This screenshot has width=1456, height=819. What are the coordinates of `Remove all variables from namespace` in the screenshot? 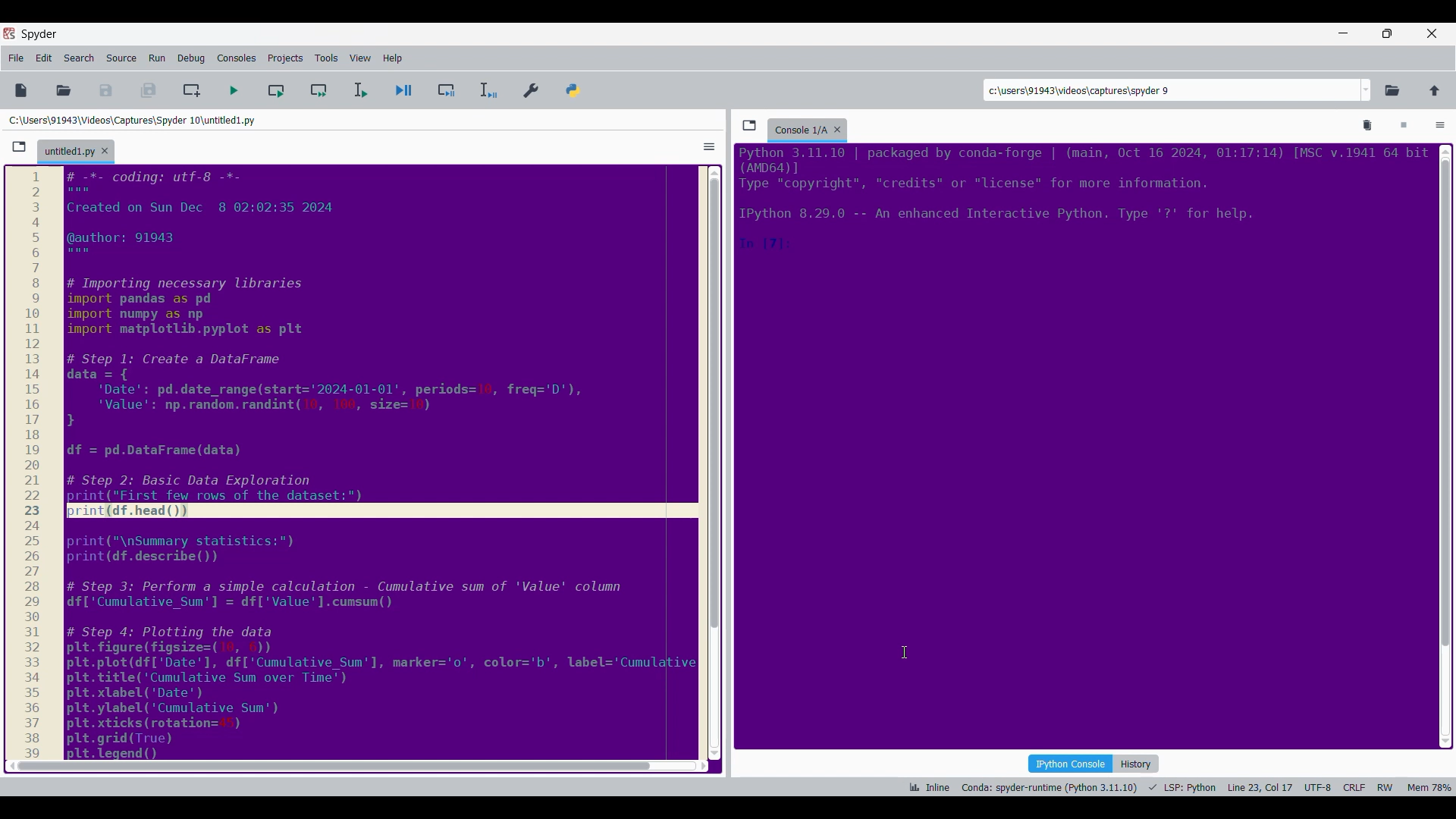 It's located at (1368, 126).